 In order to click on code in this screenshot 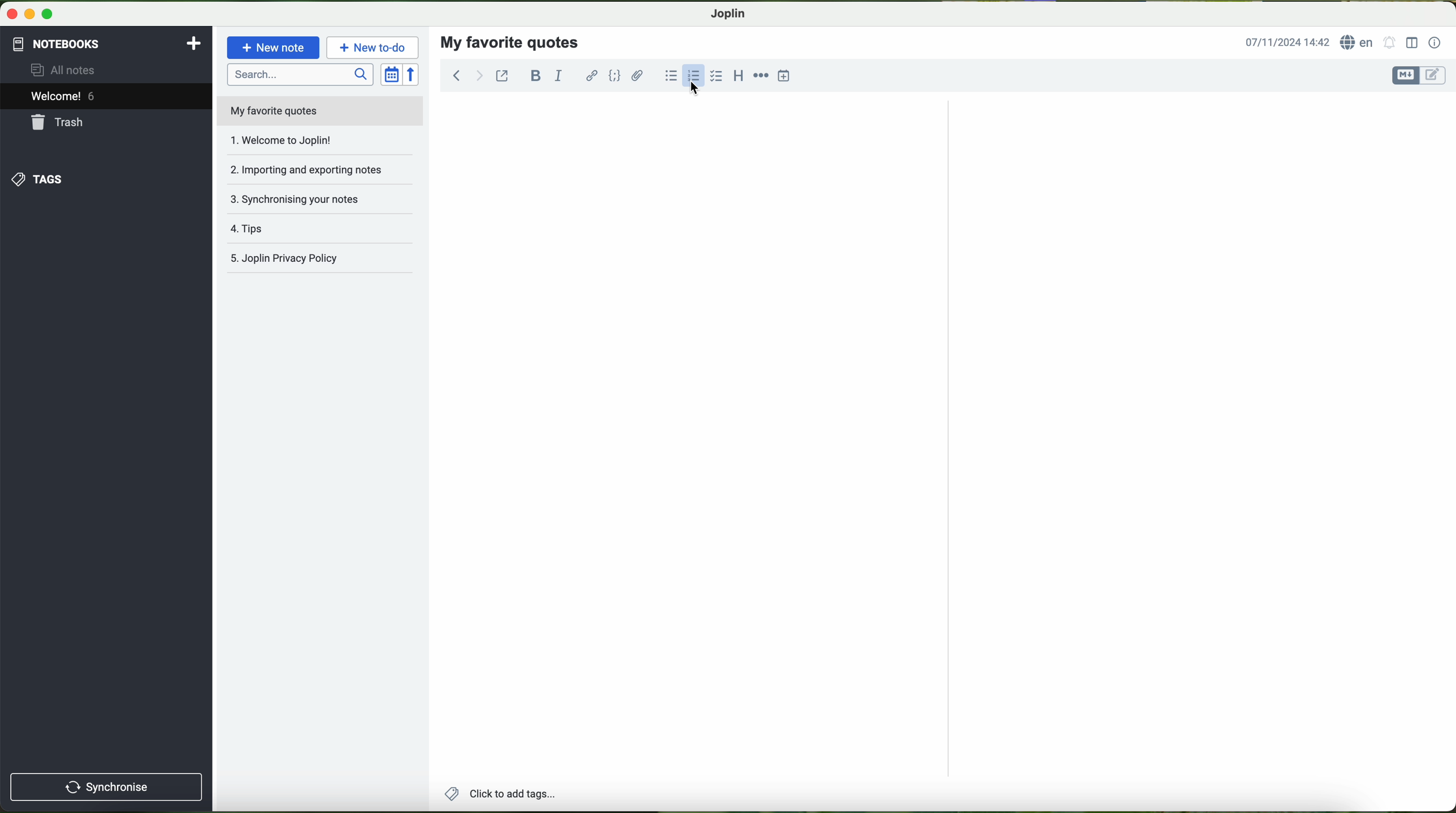, I will do `click(616, 77)`.